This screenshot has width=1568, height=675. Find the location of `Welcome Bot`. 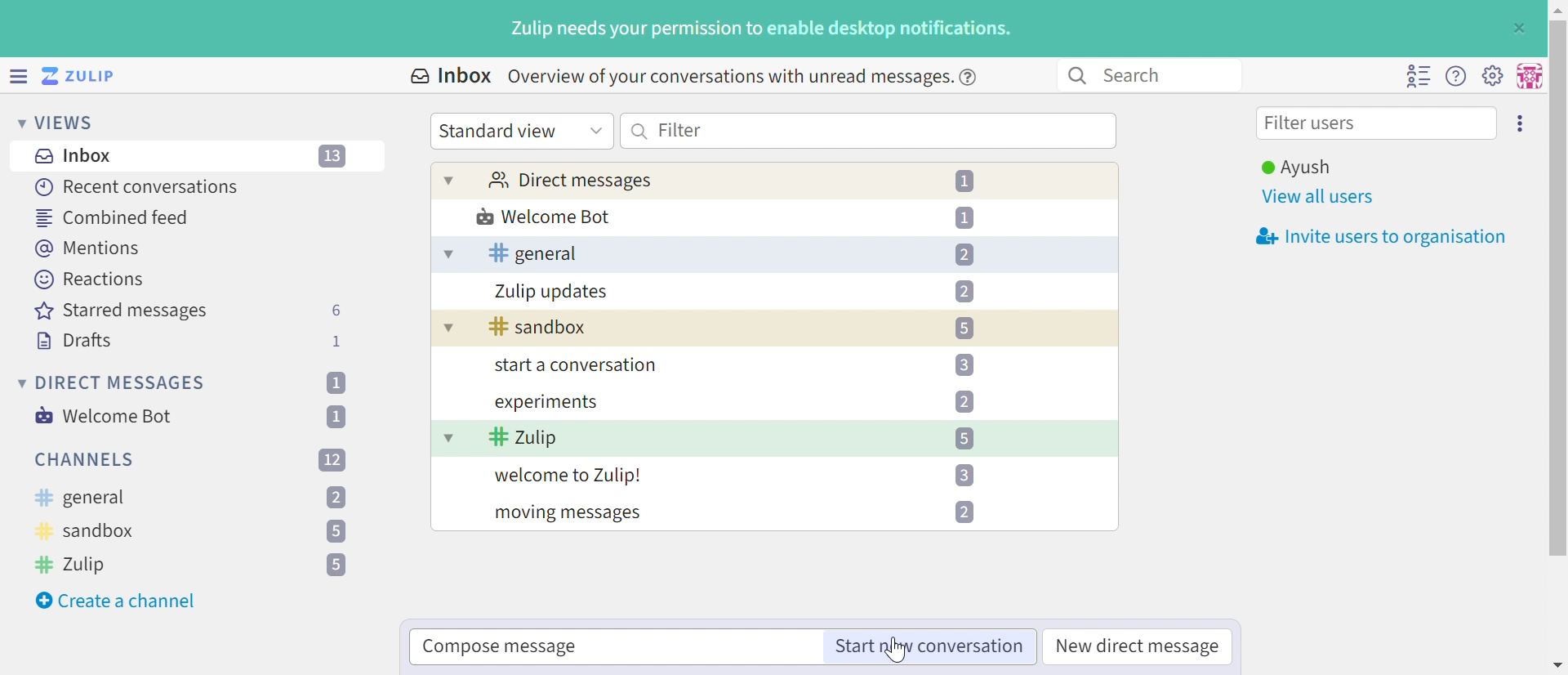

Welcome Bot is located at coordinates (105, 416).